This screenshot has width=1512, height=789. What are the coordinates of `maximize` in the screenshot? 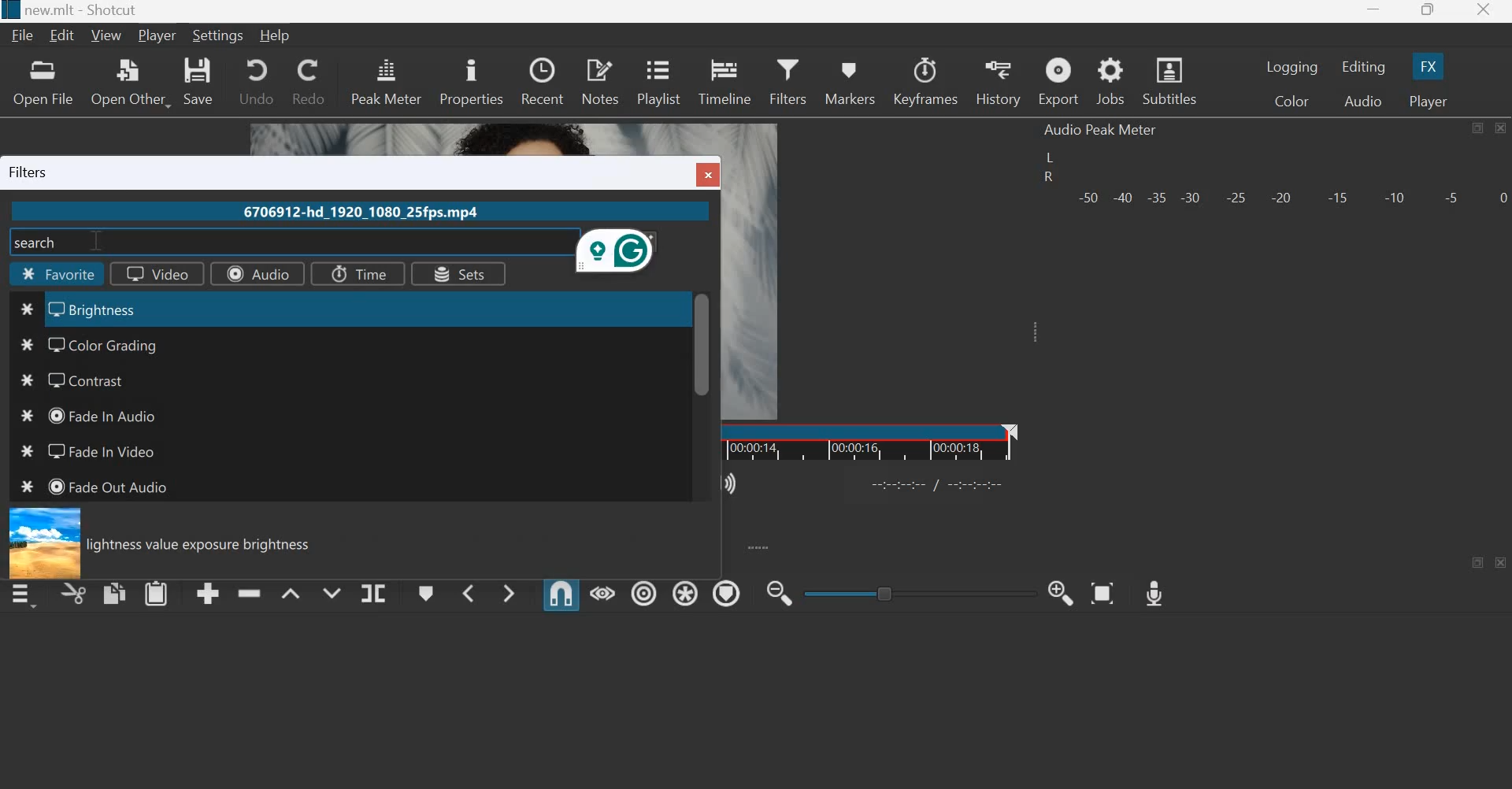 It's located at (1477, 128).